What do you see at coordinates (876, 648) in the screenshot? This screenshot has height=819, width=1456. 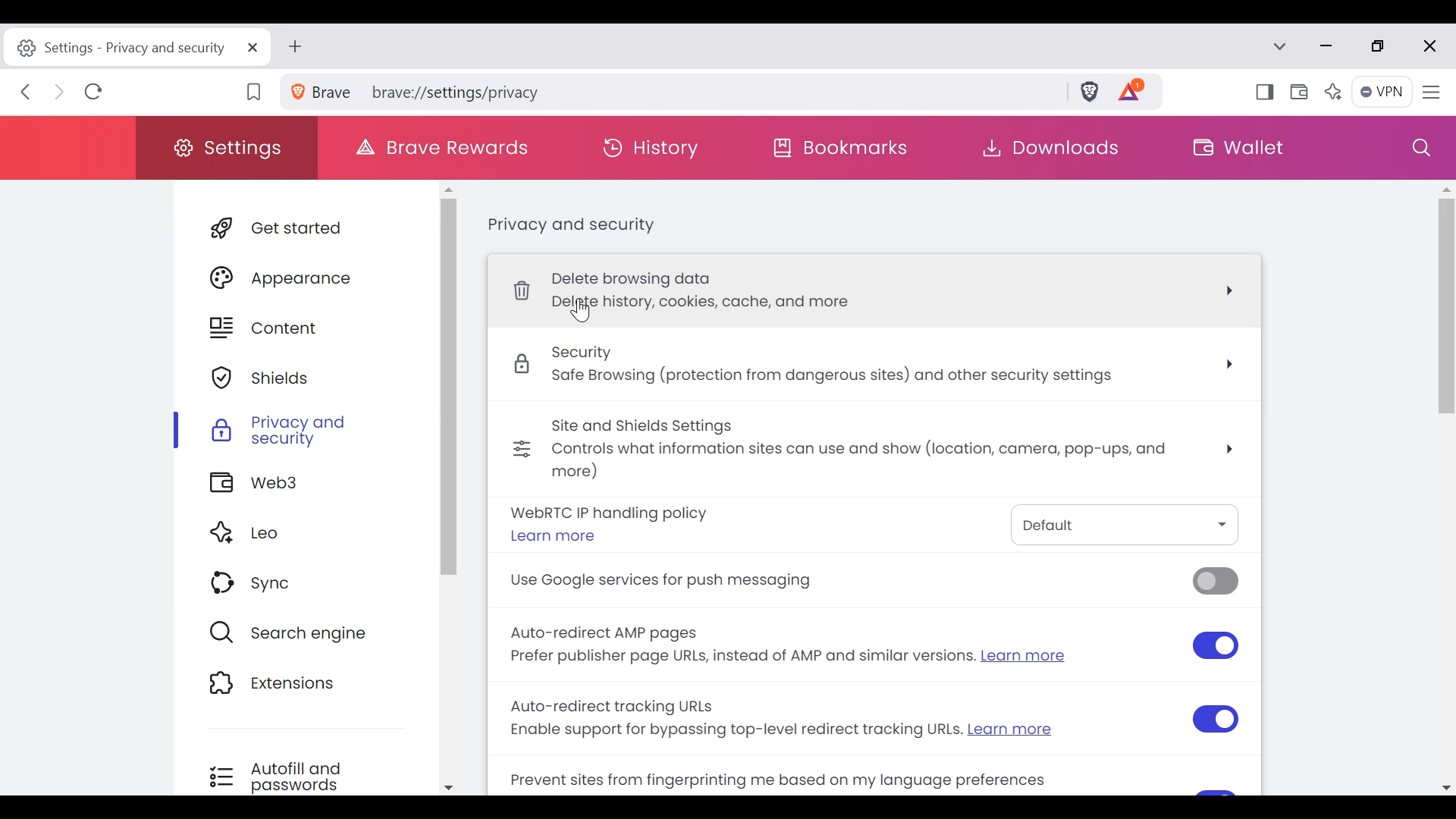 I see `auto-redirect amp pages prefer publisher page URLs, instead of amp and similar versions. learn more` at bounding box center [876, 648].